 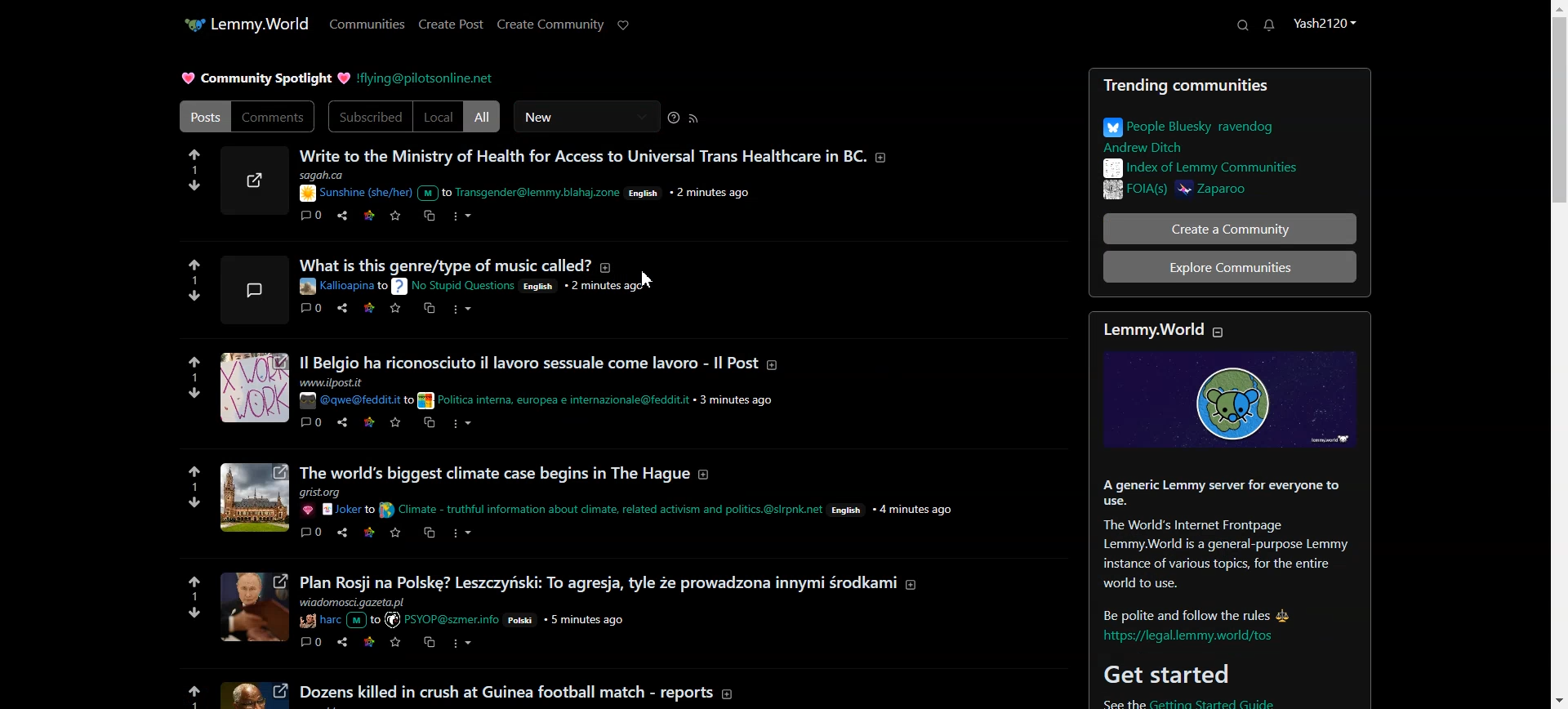 What do you see at coordinates (522, 622) in the screenshot?
I see `Polski` at bounding box center [522, 622].